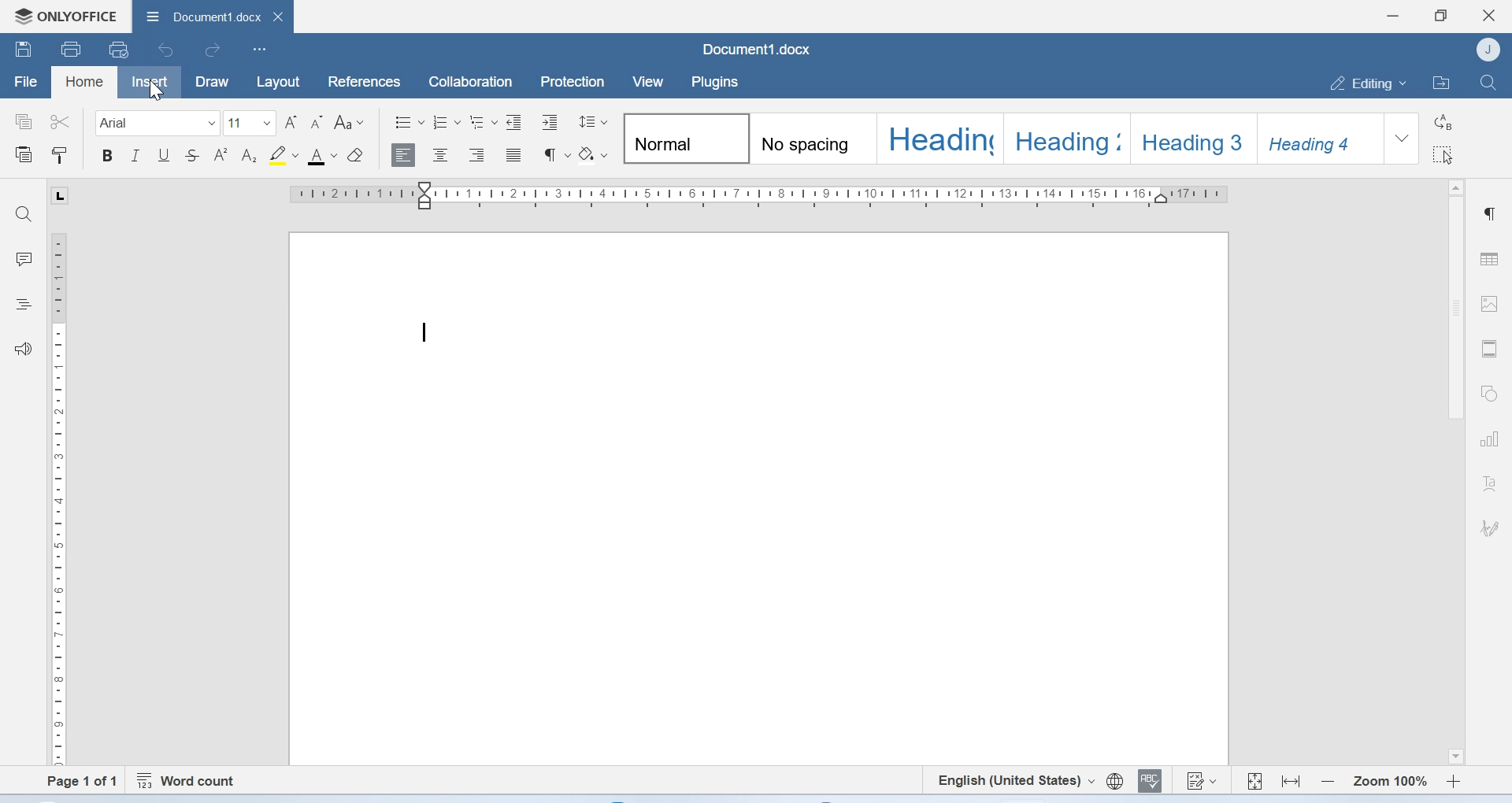  I want to click on Table, so click(1492, 254).